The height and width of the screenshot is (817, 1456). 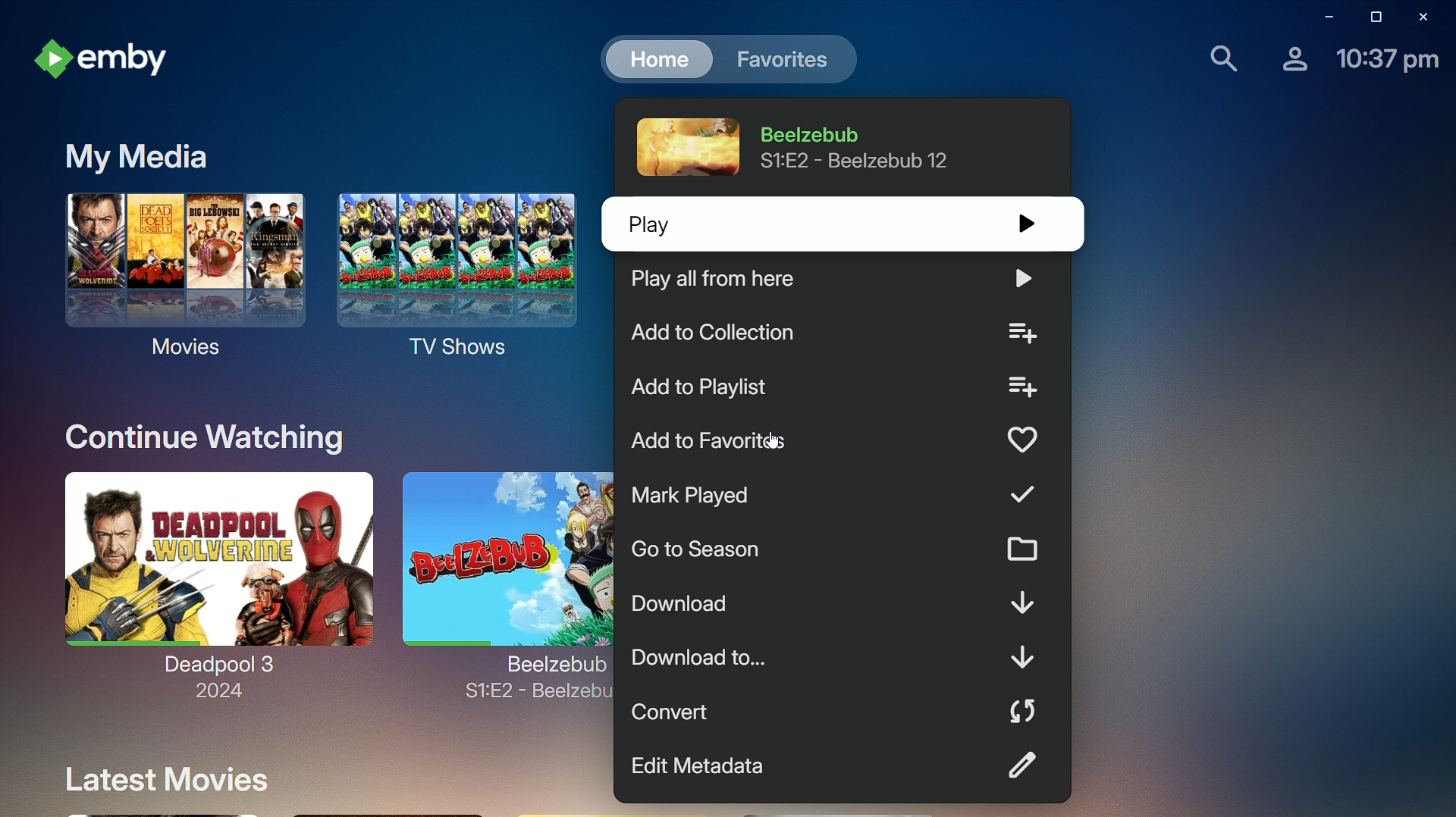 I want to click on Download, so click(x=843, y=603).